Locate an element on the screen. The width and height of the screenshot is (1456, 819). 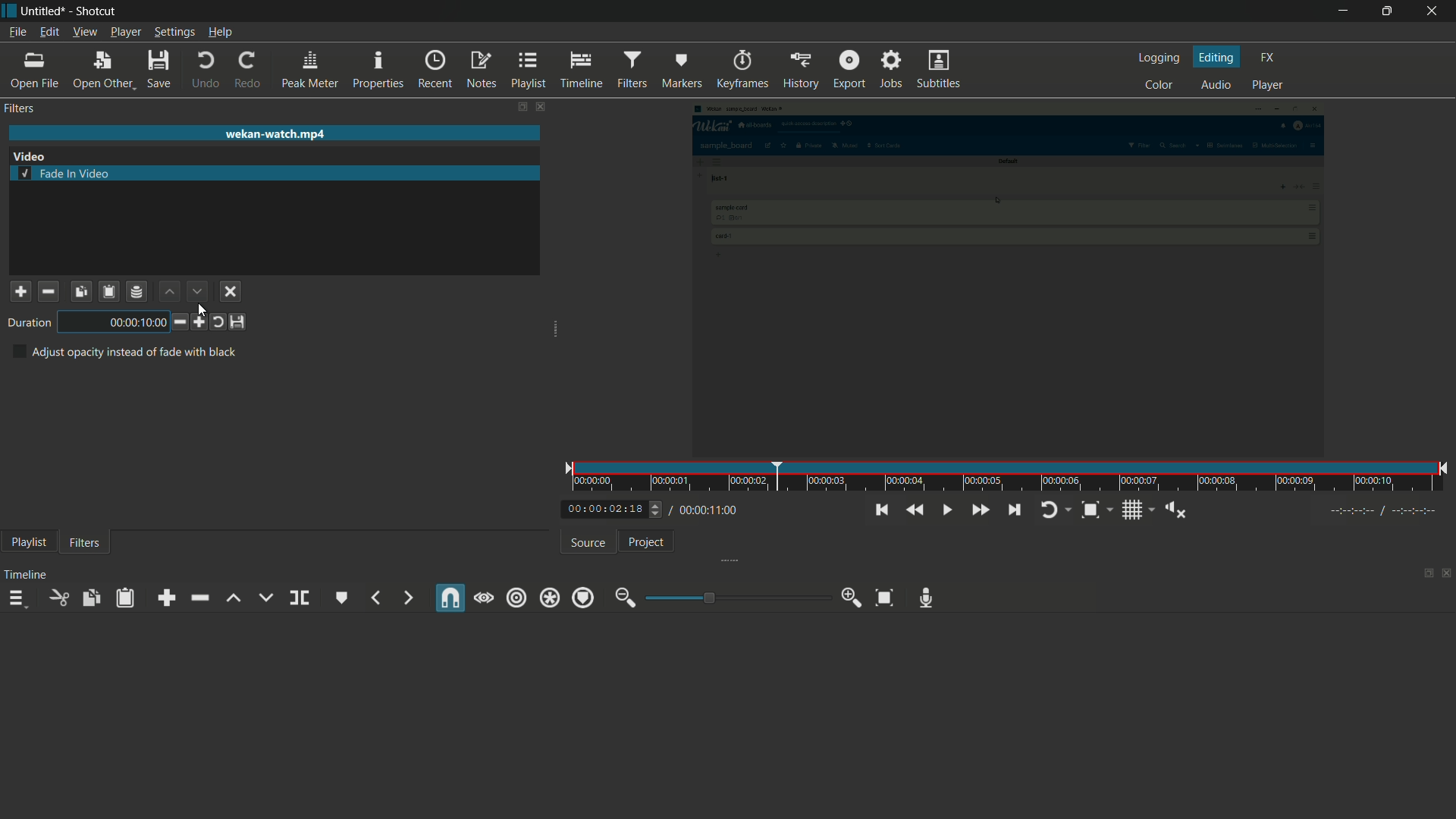
source is located at coordinates (588, 544).